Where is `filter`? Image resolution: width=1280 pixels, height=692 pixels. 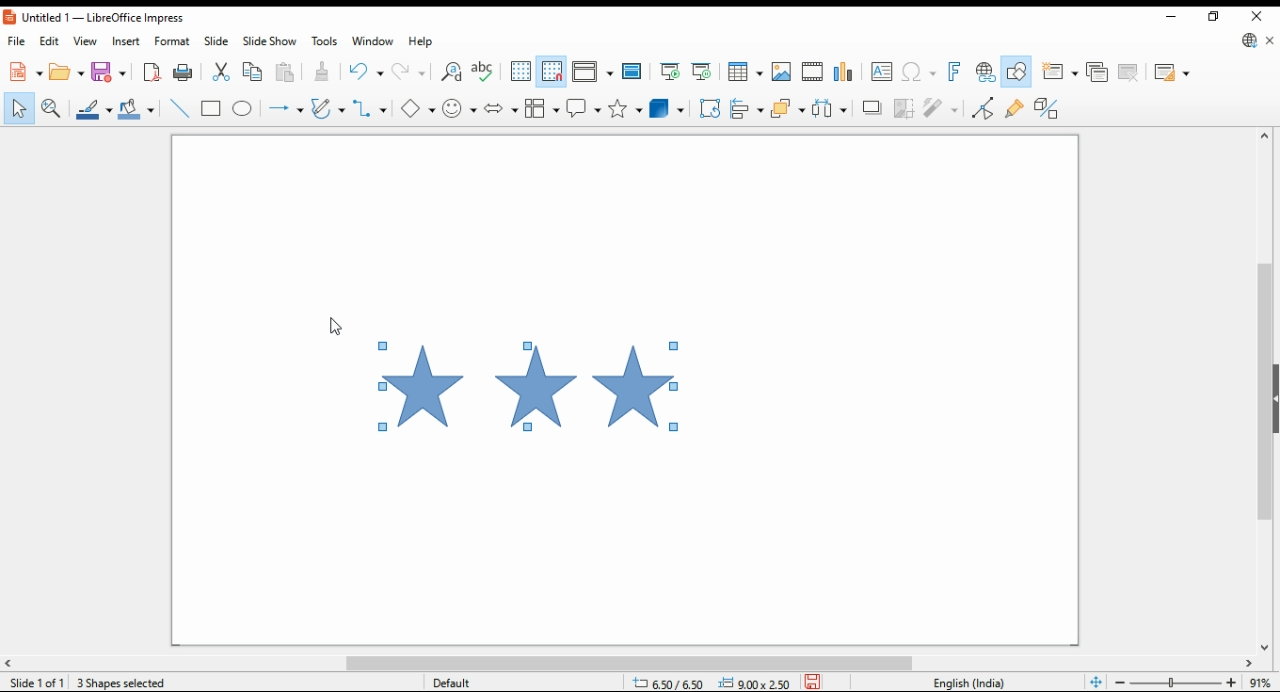
filter is located at coordinates (942, 107).